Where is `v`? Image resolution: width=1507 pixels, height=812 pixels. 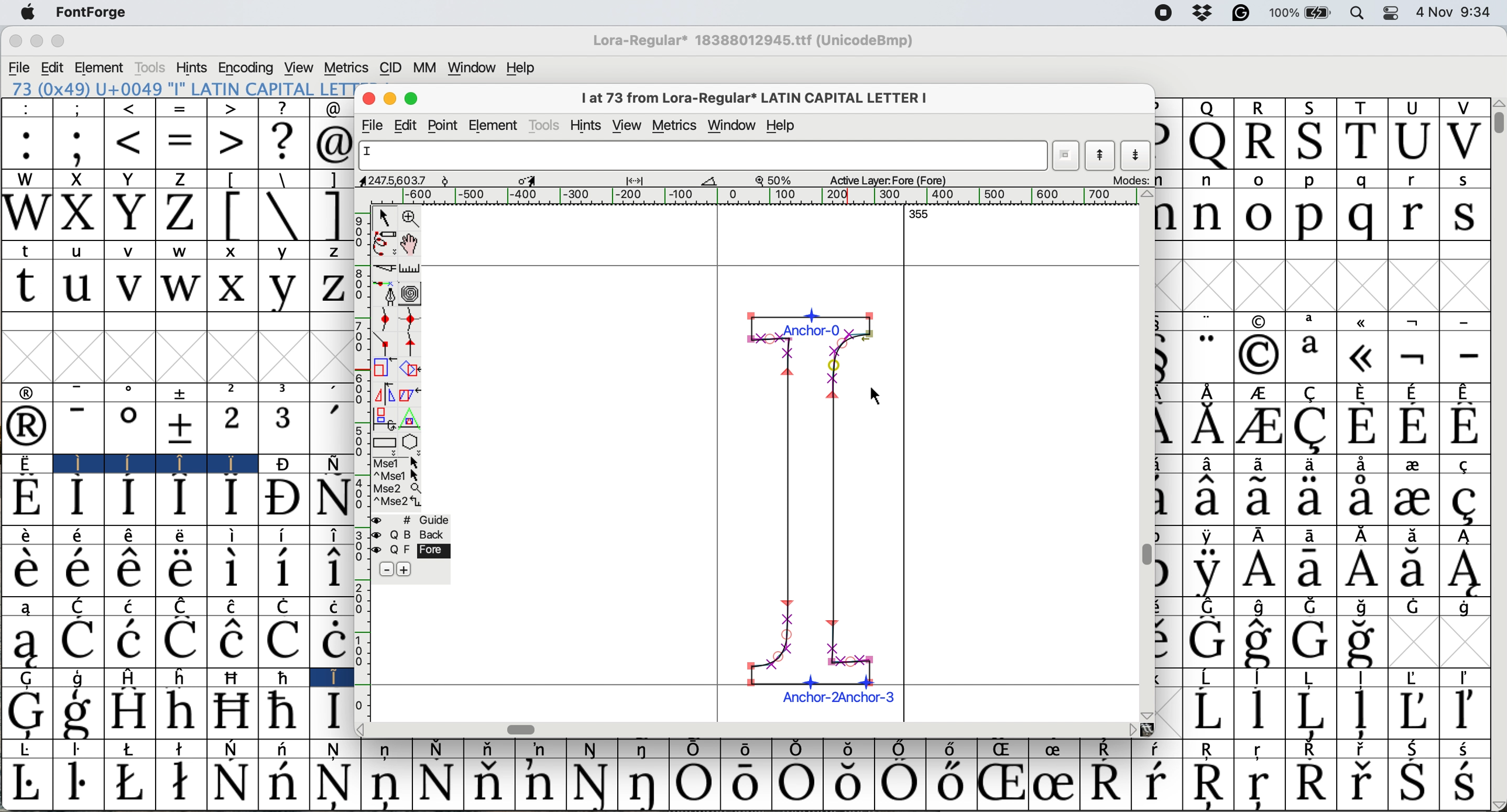 v is located at coordinates (129, 287).